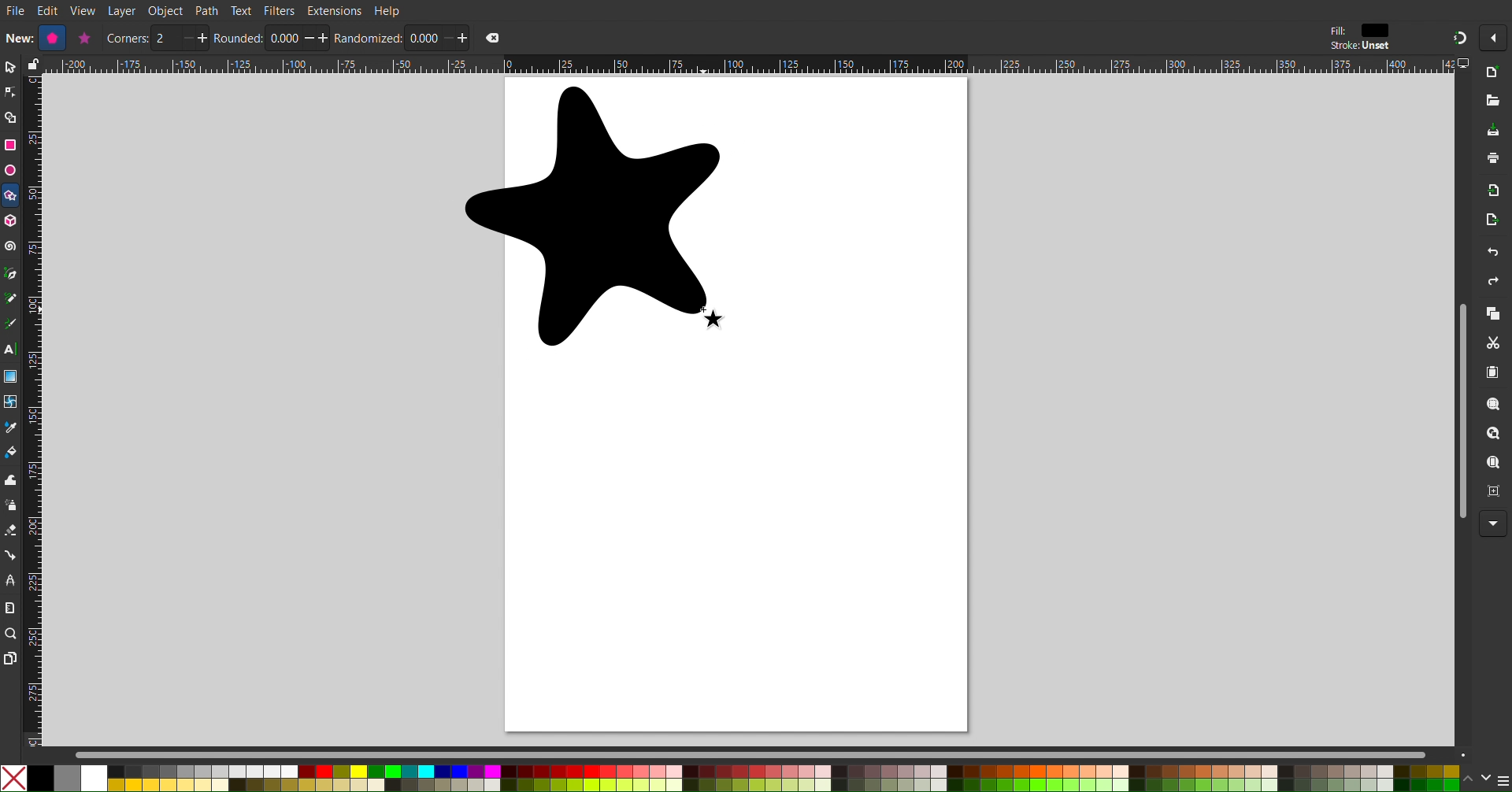  Describe the element at coordinates (11, 479) in the screenshot. I see `Tweak Tool` at that location.